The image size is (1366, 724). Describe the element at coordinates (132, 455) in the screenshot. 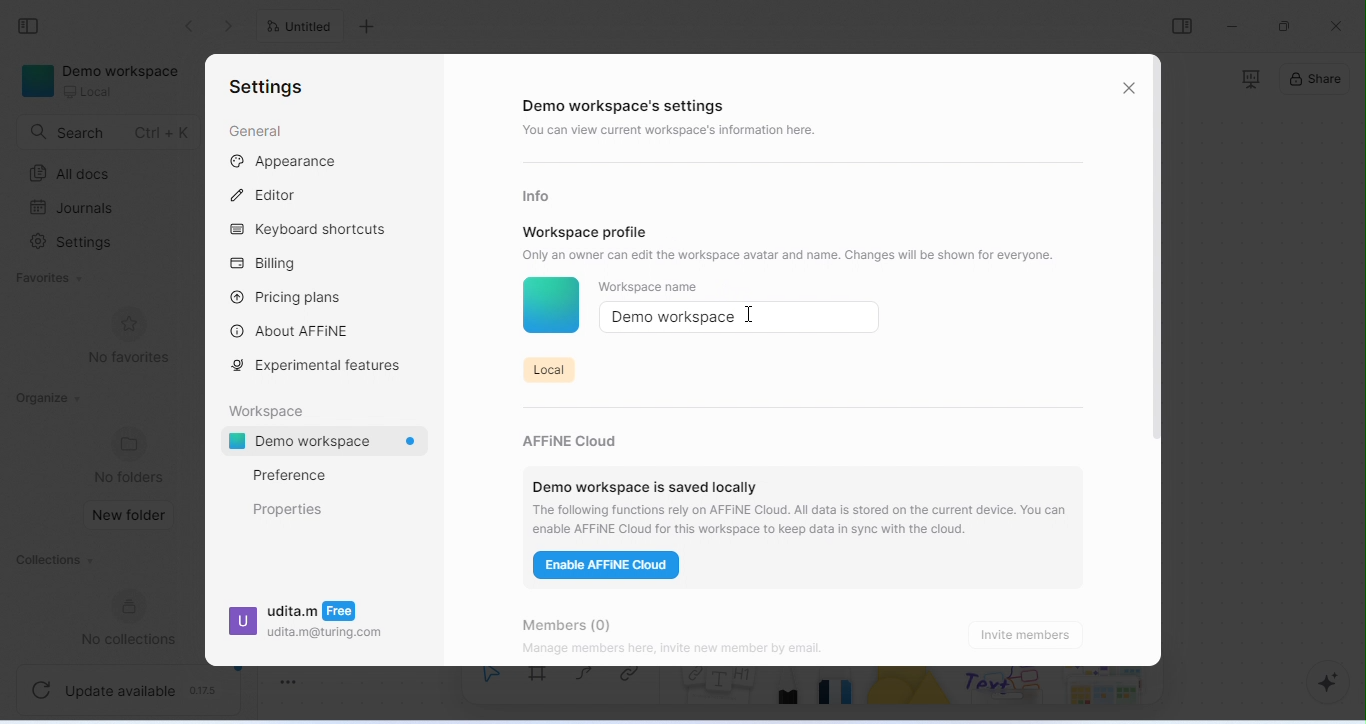

I see `no folders` at that location.